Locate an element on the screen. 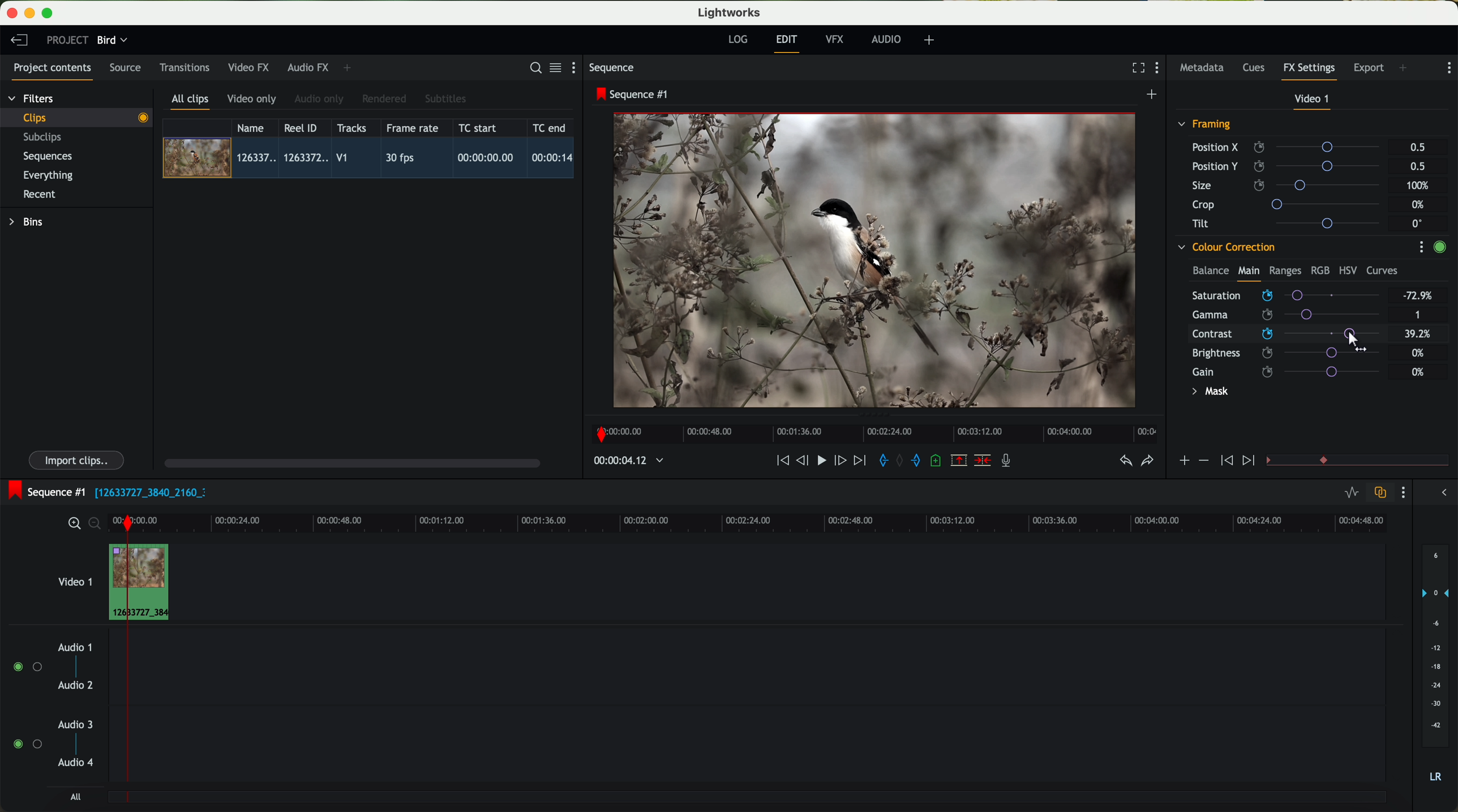  tilt is located at coordinates (1291, 223).